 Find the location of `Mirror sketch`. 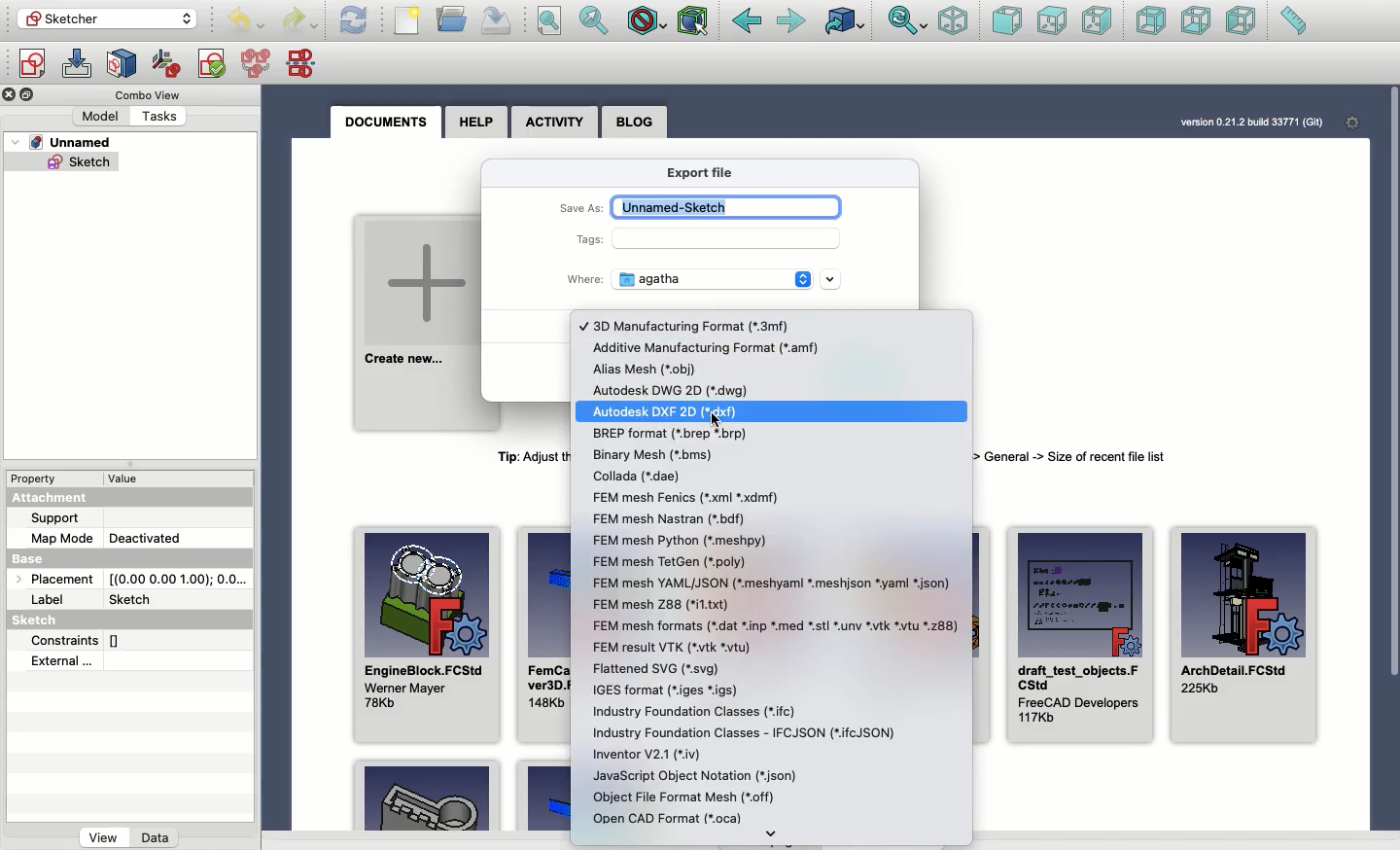

Mirror sketch is located at coordinates (304, 64).